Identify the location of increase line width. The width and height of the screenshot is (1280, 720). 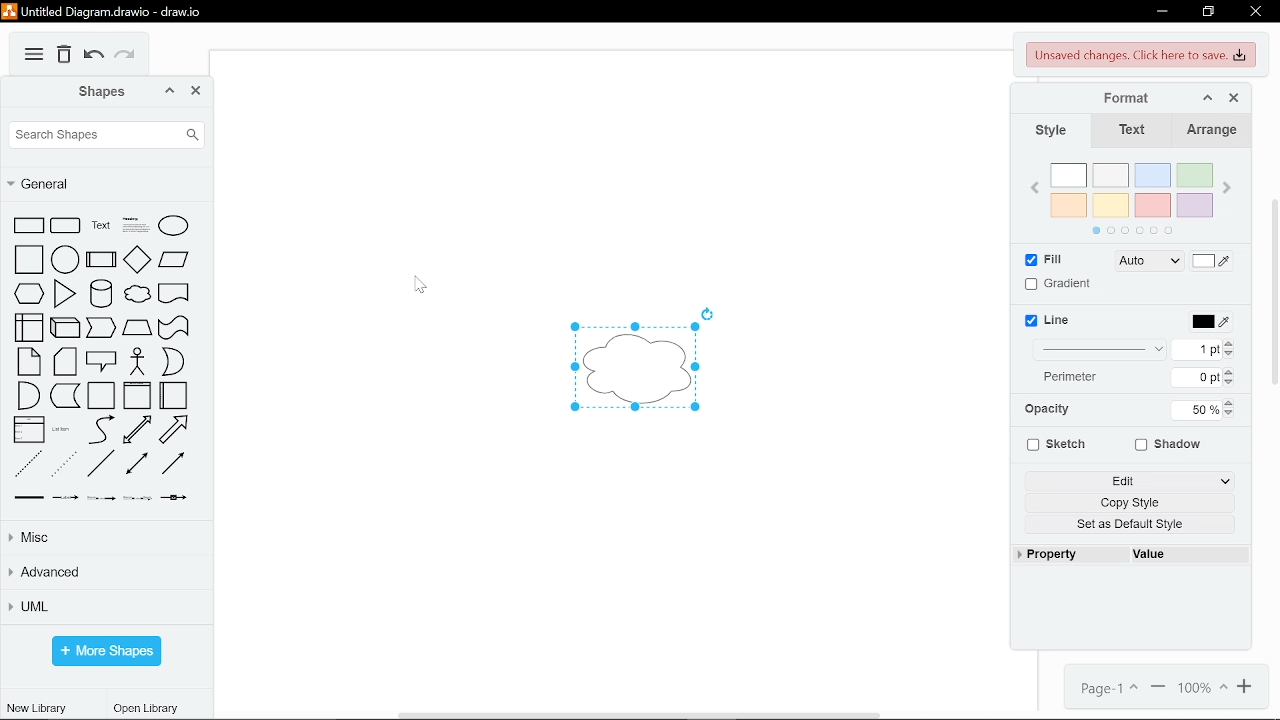
(1230, 343).